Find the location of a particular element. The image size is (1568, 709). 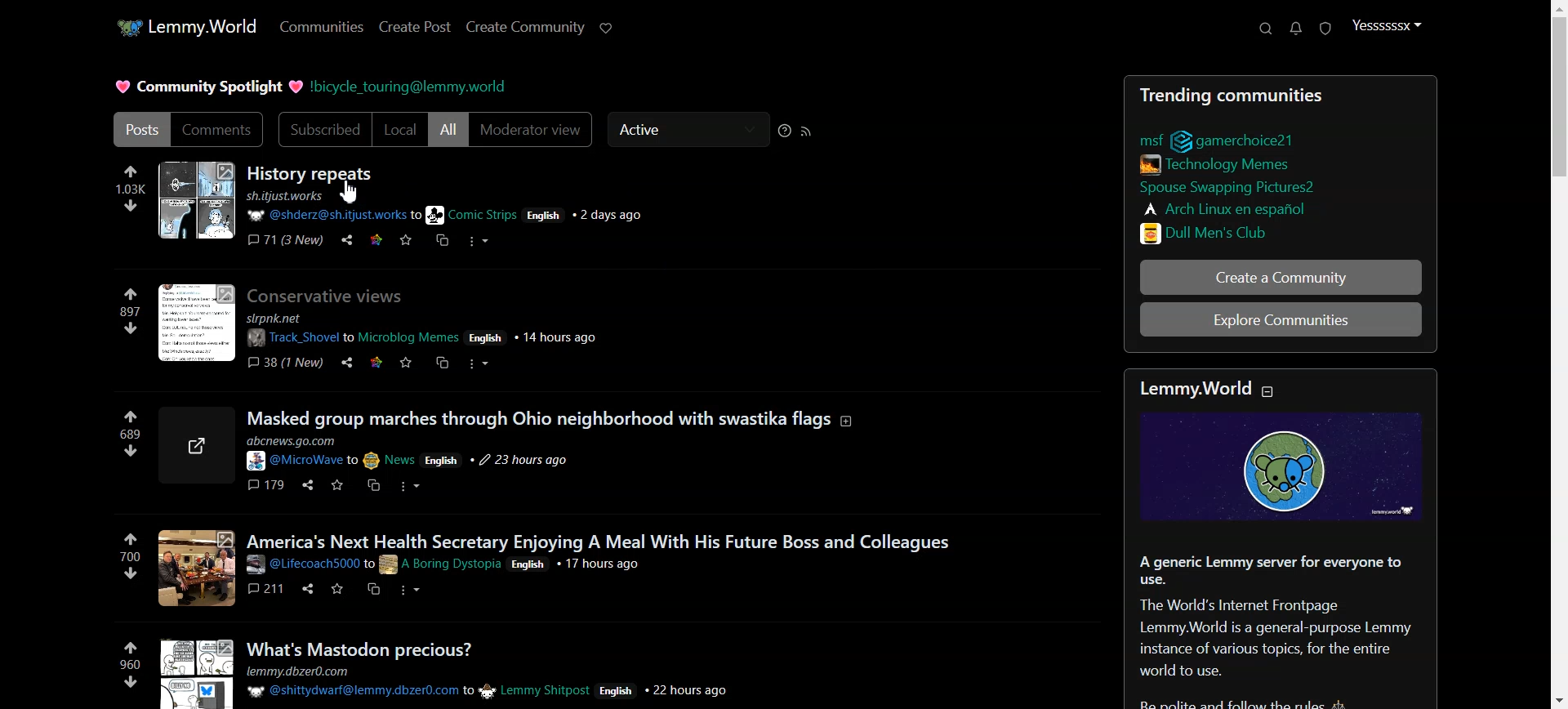

@Lifecoach5000 is located at coordinates (302, 564).